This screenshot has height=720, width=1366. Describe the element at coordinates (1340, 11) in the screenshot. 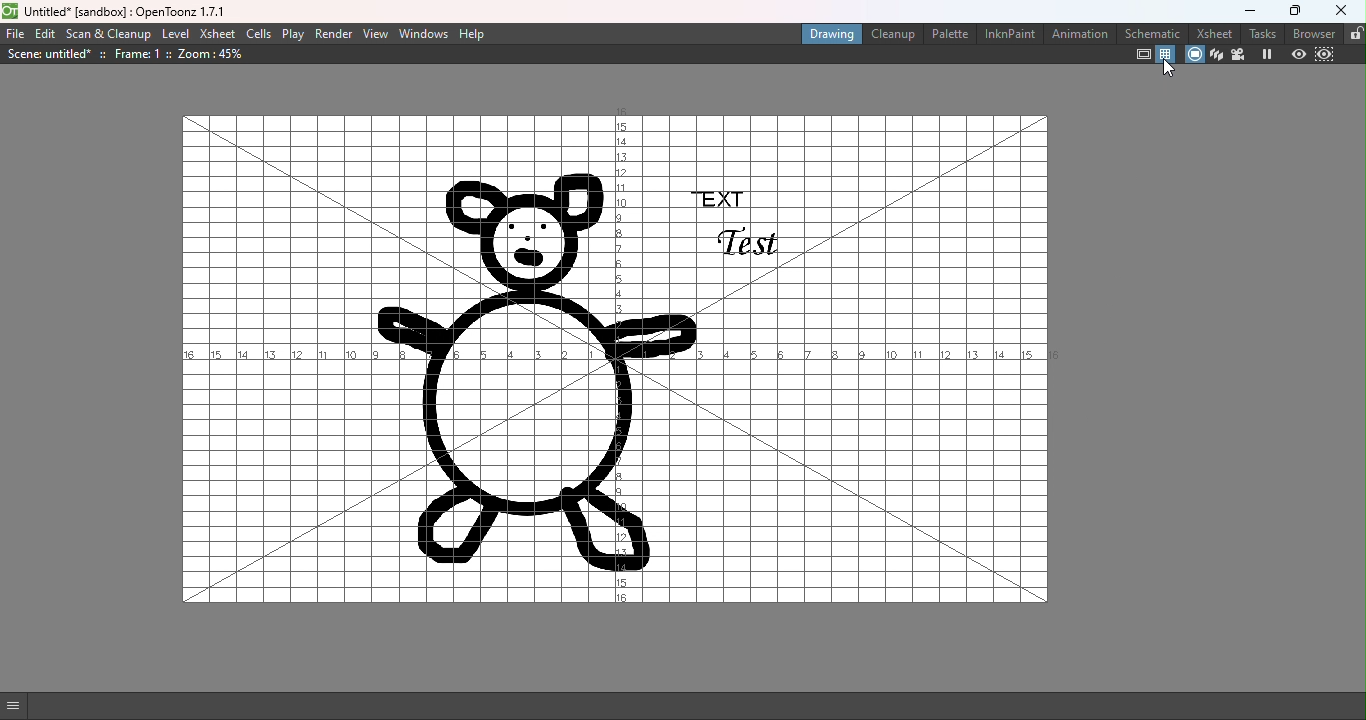

I see `Close` at that location.